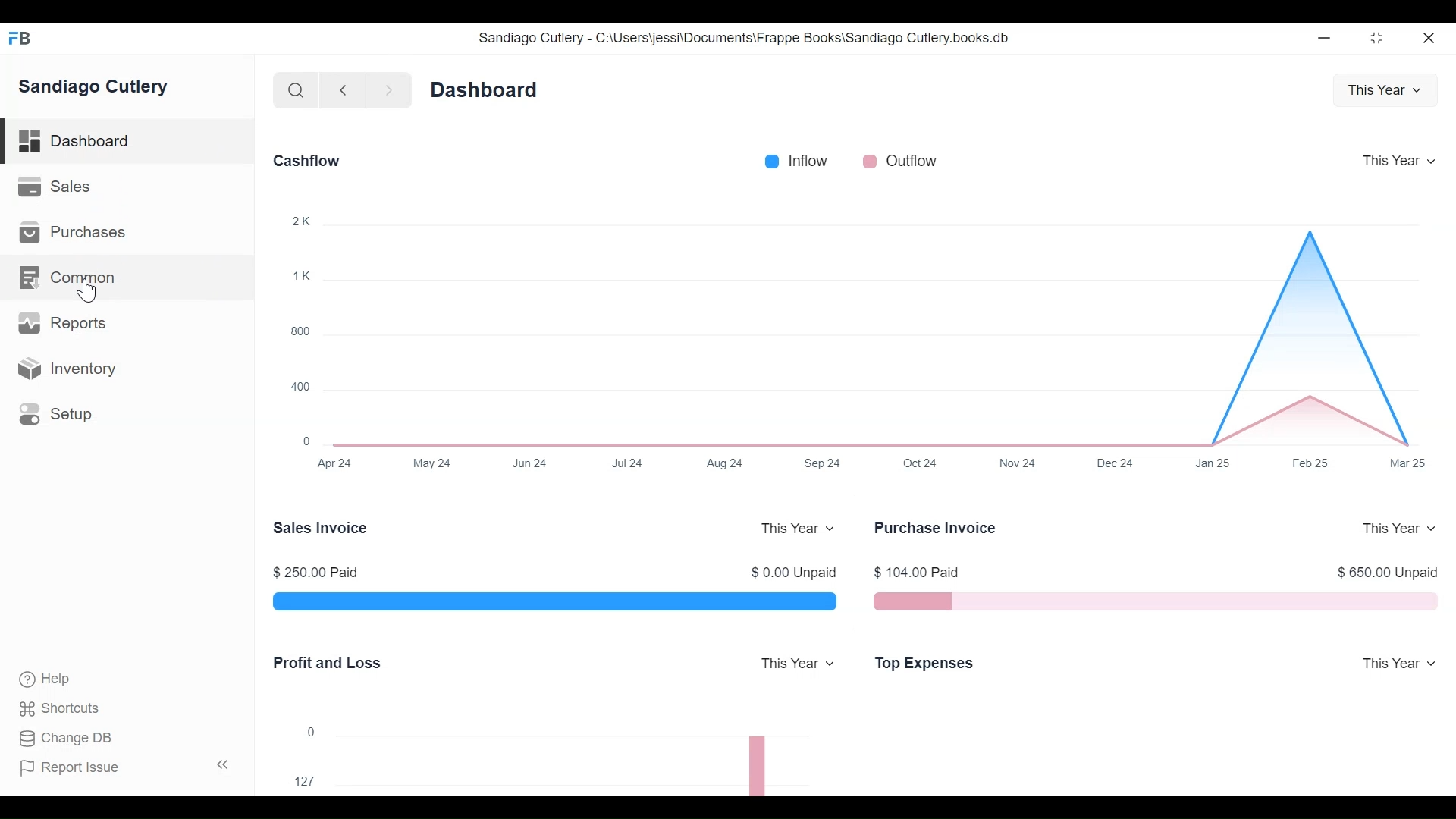 Image resolution: width=1456 pixels, height=819 pixels. I want to click on This year, so click(1385, 88).